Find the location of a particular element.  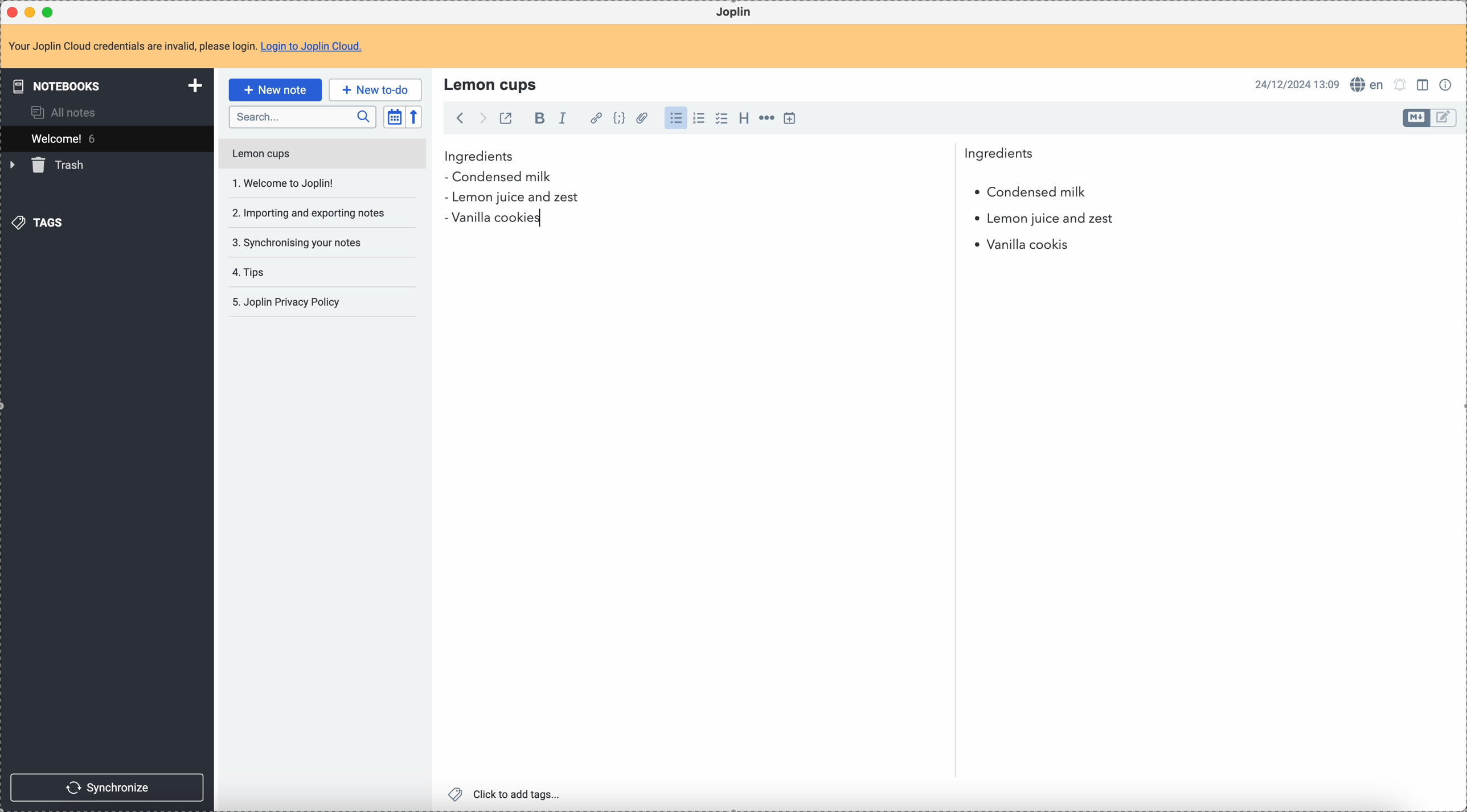

synchronising your notes is located at coordinates (296, 241).